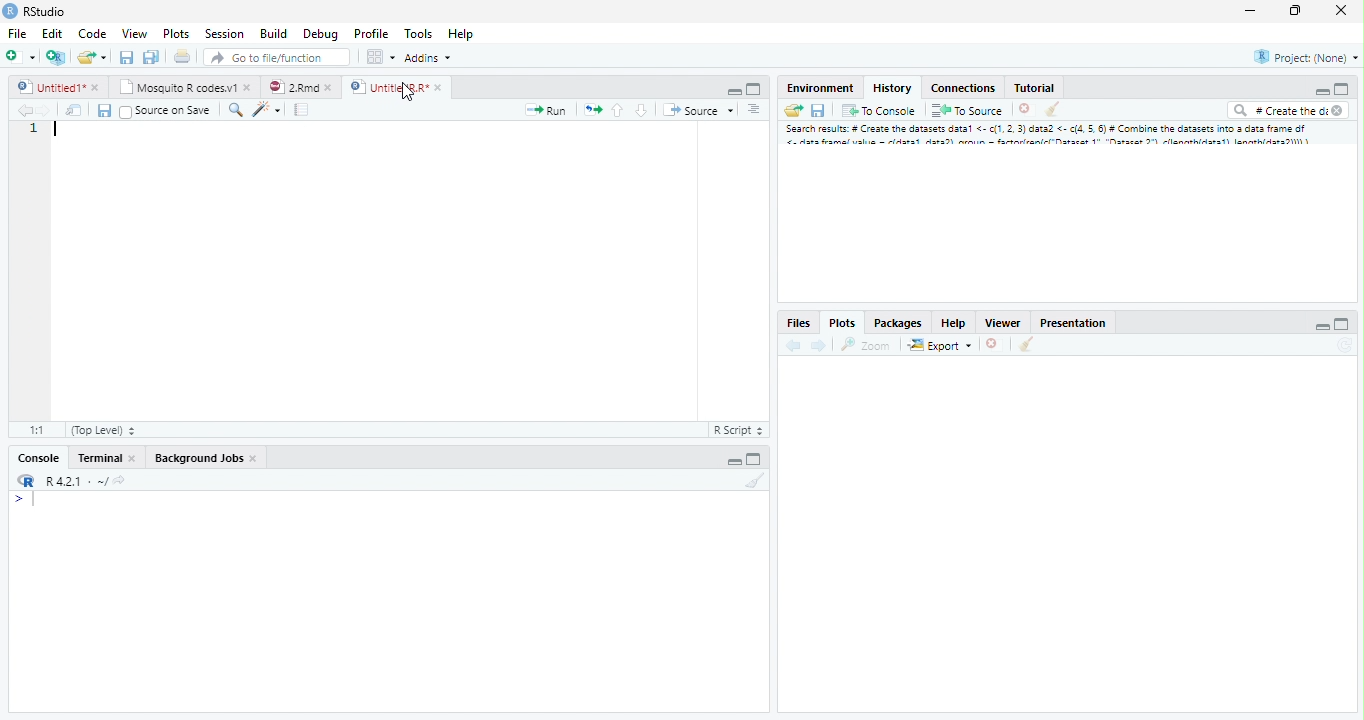  Describe the element at coordinates (733, 461) in the screenshot. I see `Minimize` at that location.